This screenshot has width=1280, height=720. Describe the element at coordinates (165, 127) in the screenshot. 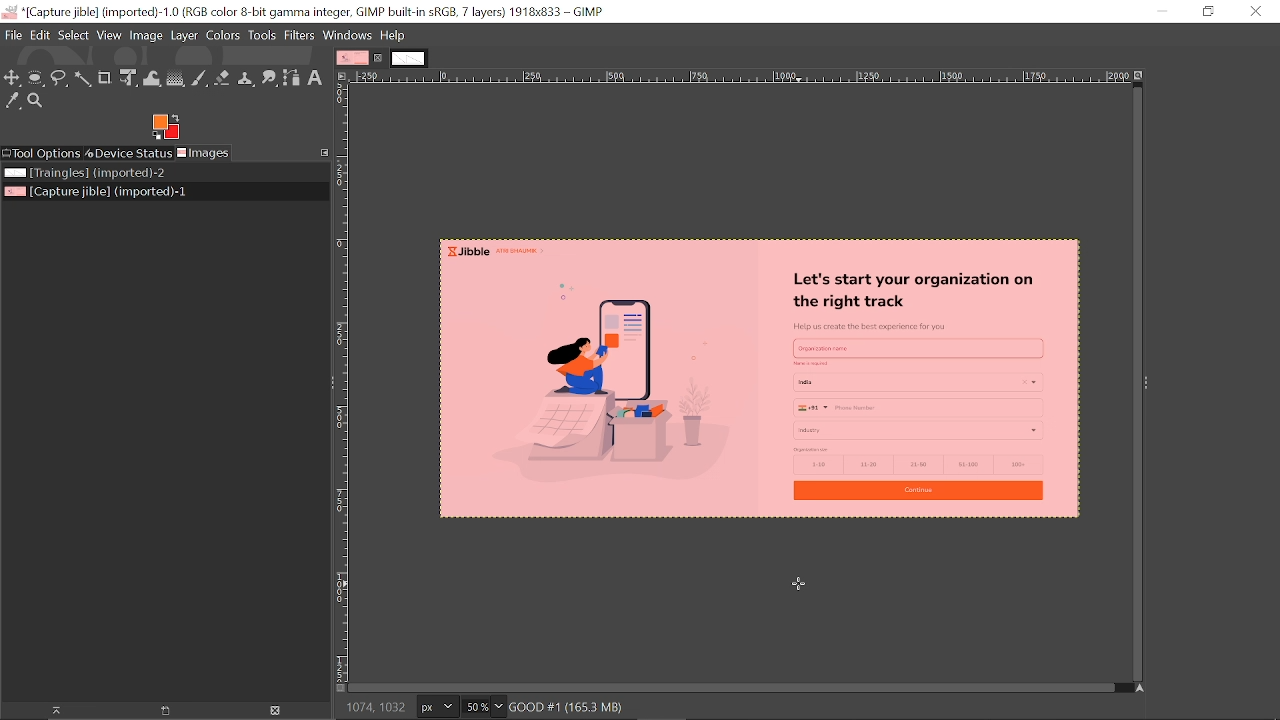

I see `Foreground color` at that location.